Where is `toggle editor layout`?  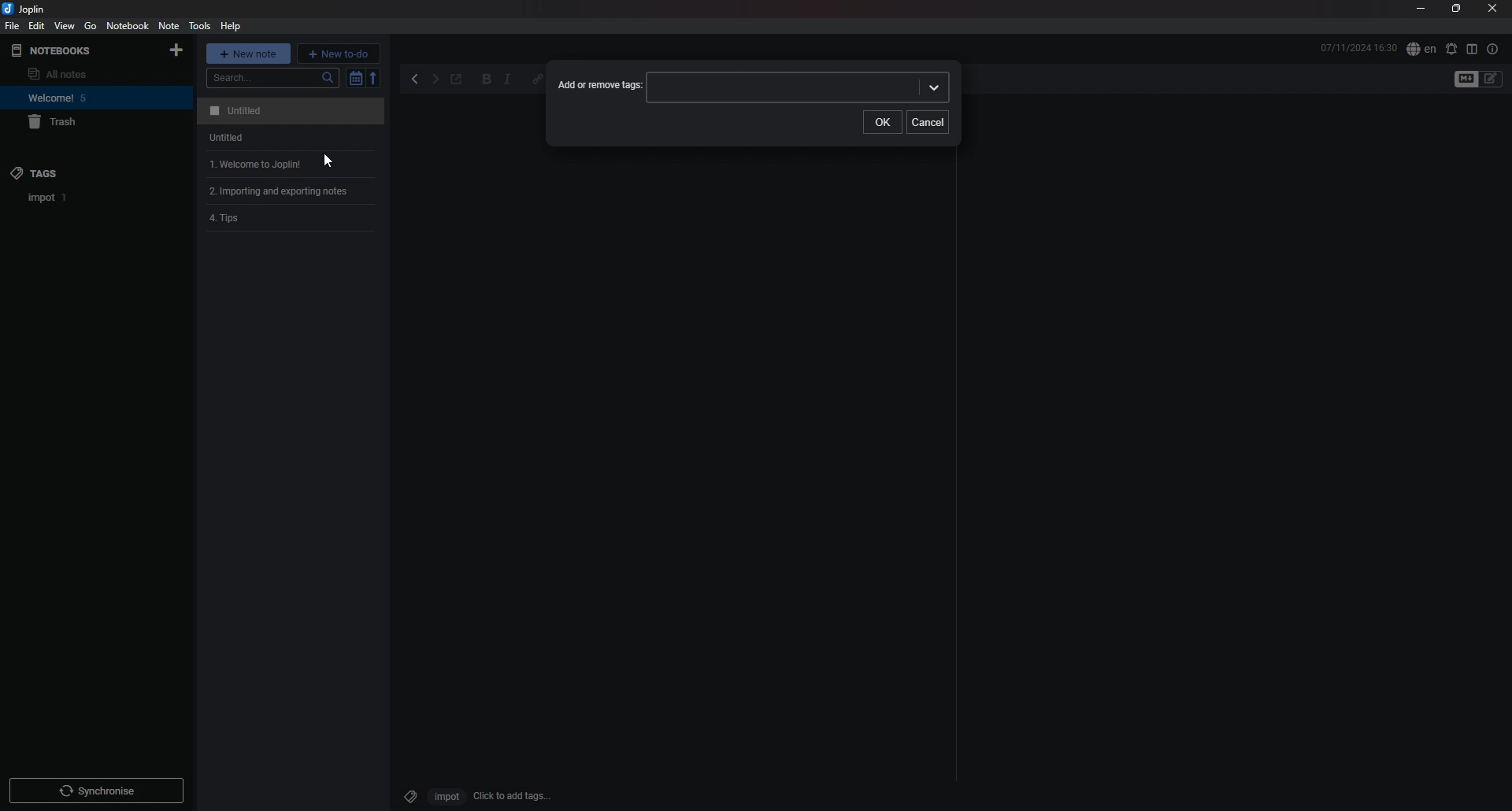
toggle editor layout is located at coordinates (1472, 49).